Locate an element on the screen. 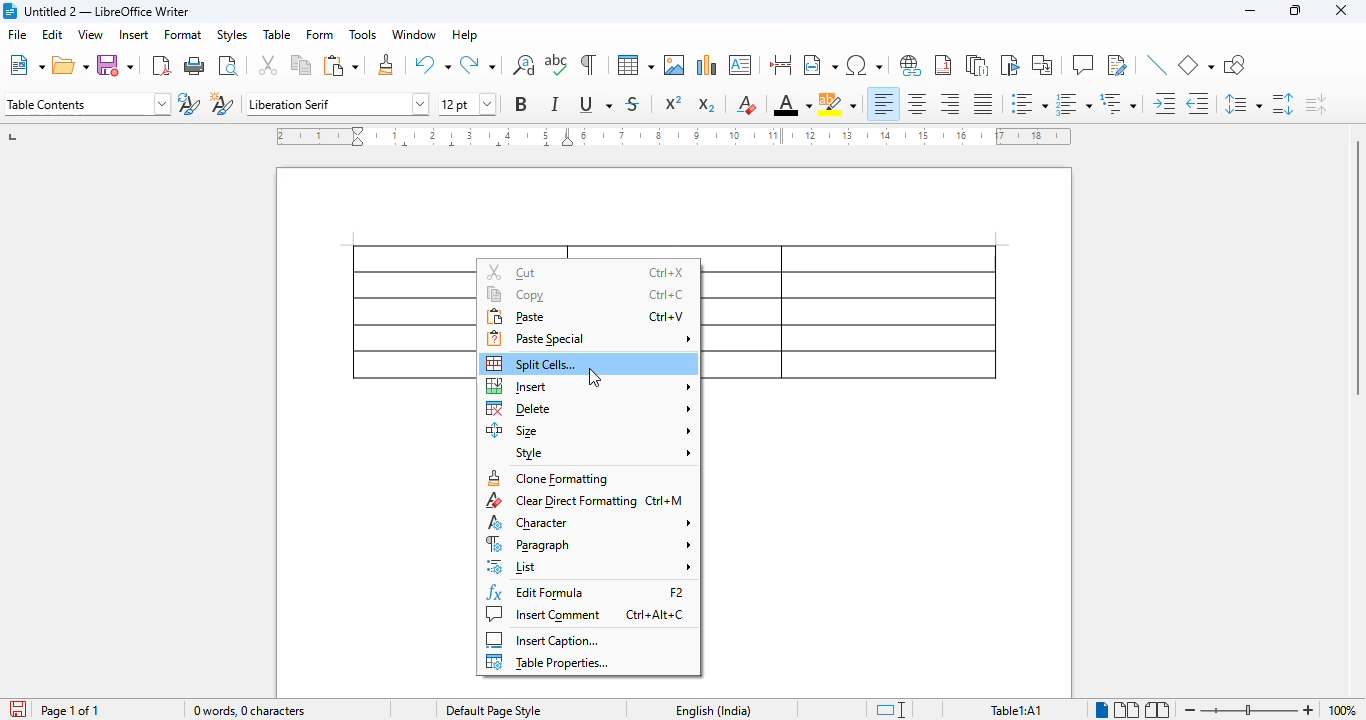 The width and height of the screenshot is (1366, 720). help is located at coordinates (464, 34).